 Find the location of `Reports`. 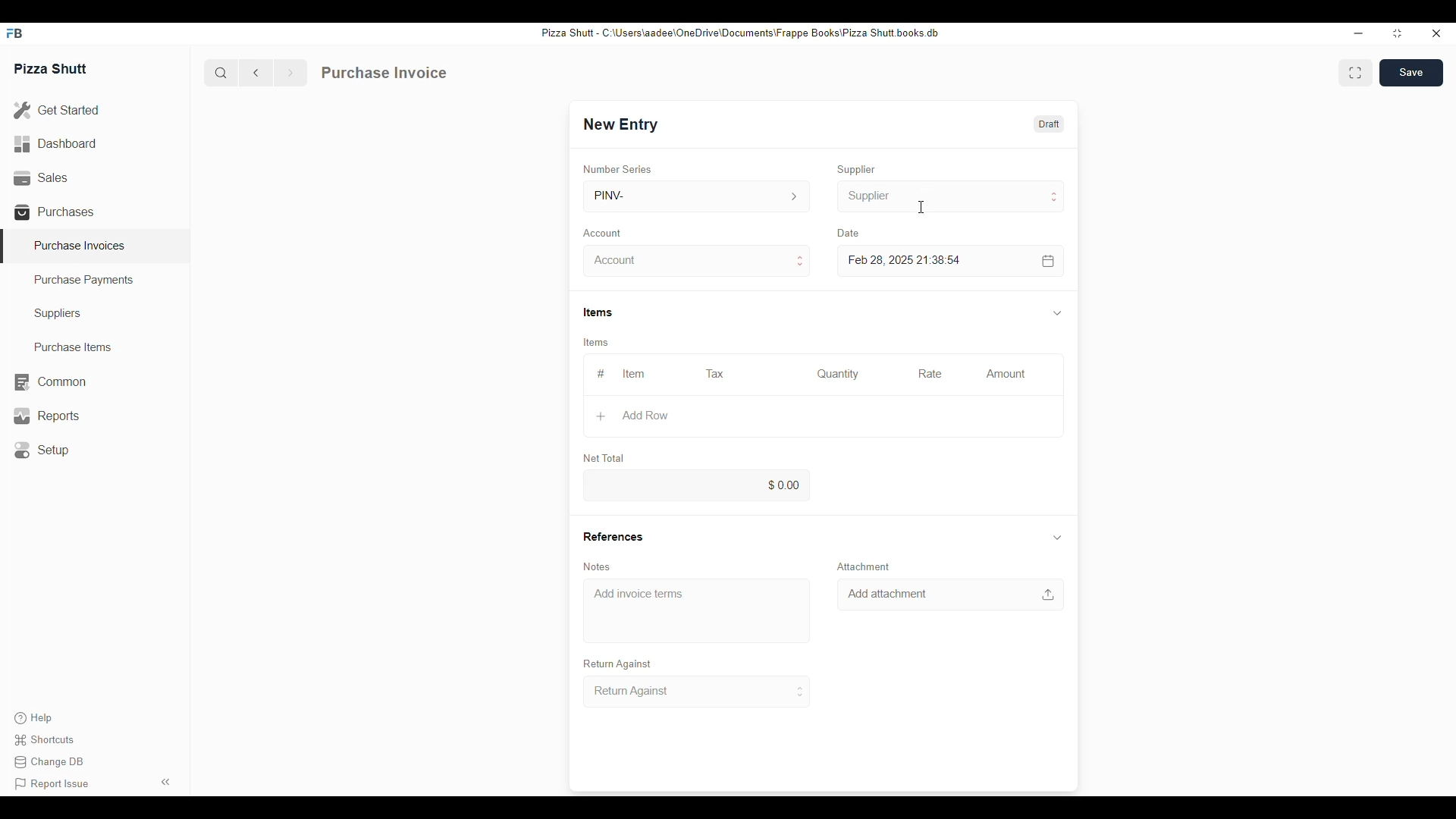

Reports is located at coordinates (45, 416).